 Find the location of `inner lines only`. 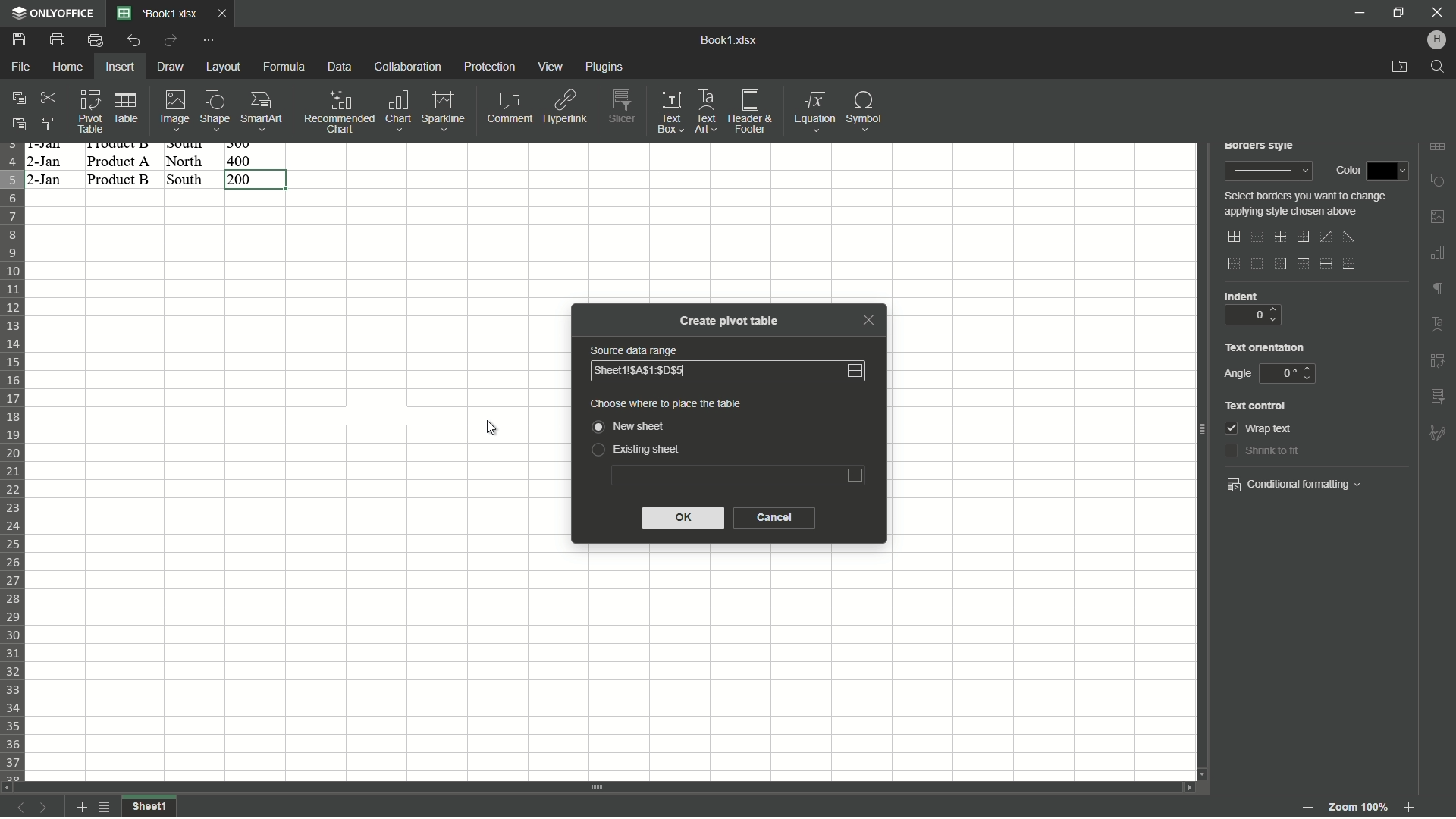

inner lines only is located at coordinates (1277, 237).